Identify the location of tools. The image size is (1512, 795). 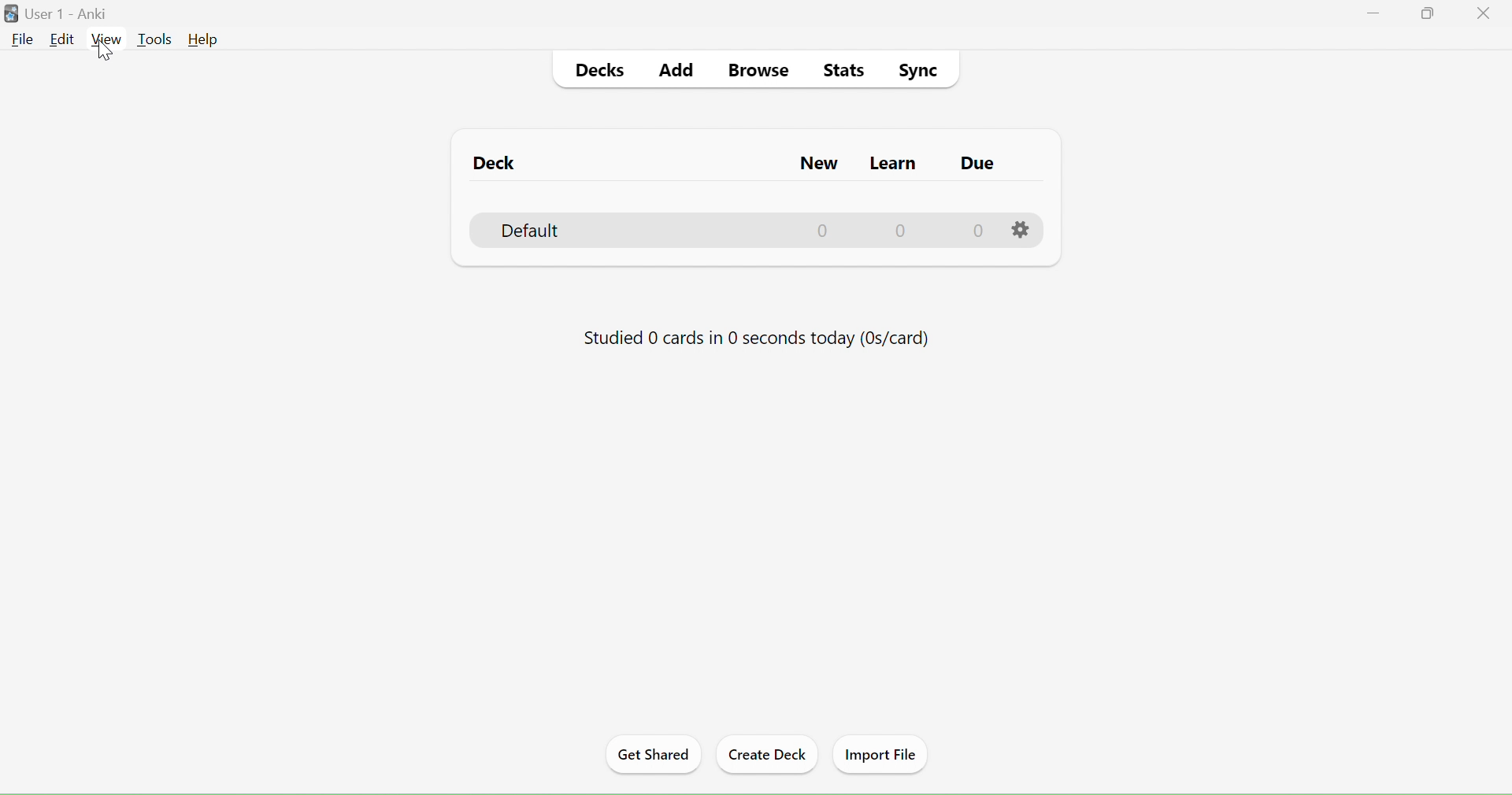
(155, 39).